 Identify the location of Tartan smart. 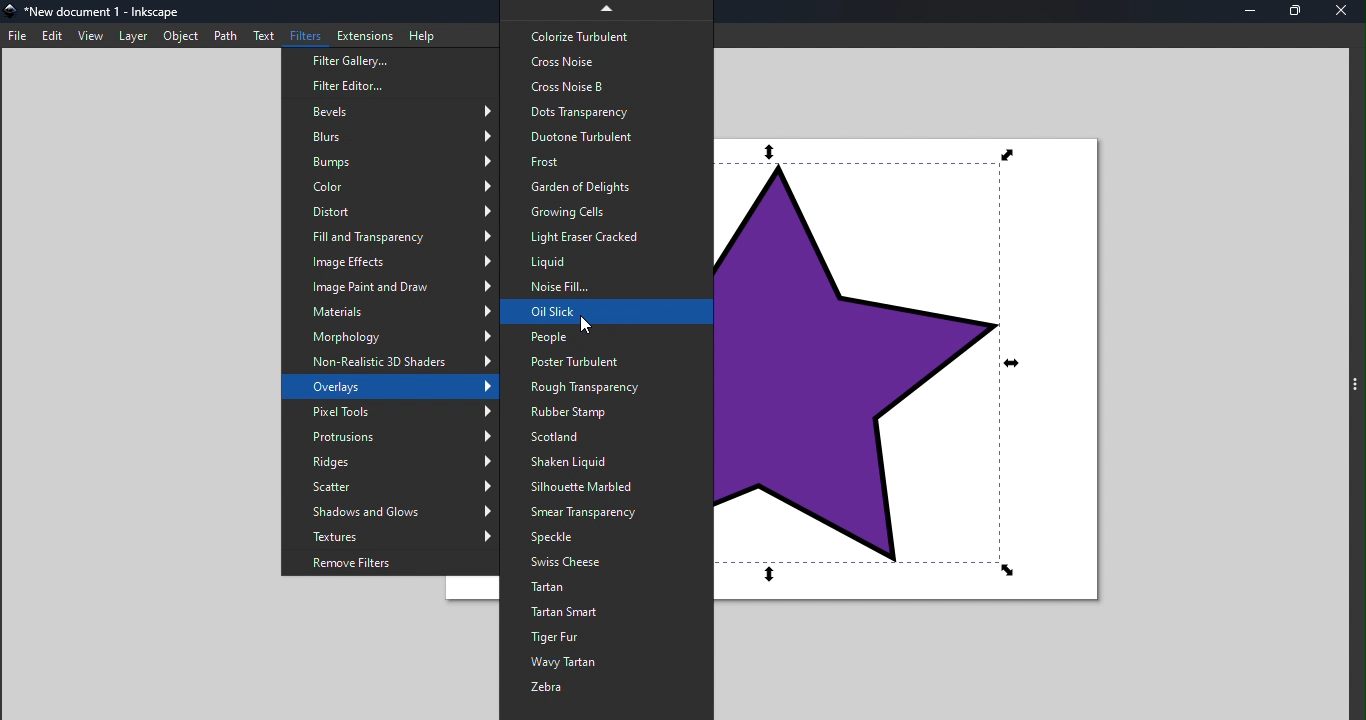
(605, 613).